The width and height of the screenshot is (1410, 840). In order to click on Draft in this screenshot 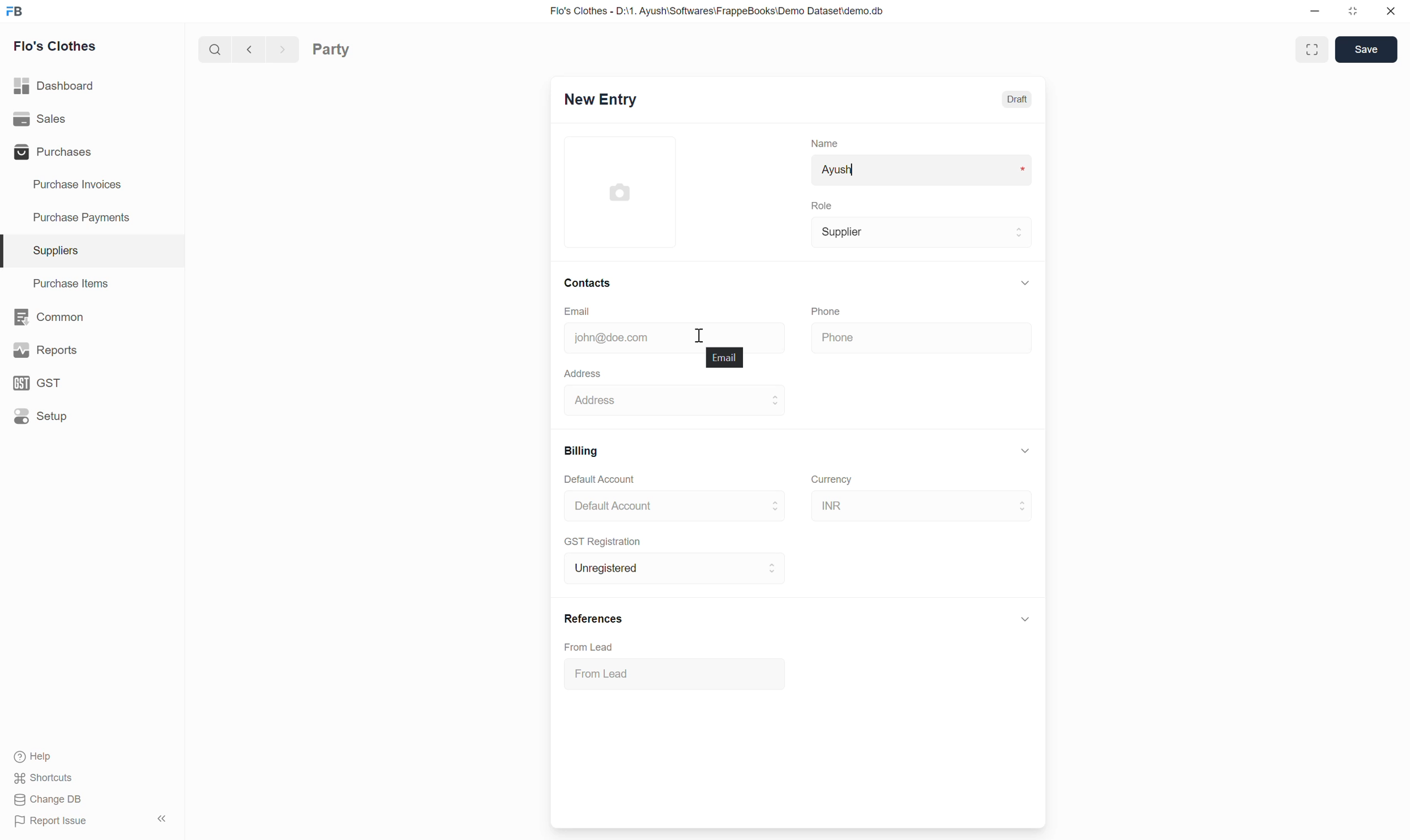, I will do `click(1016, 100)`.